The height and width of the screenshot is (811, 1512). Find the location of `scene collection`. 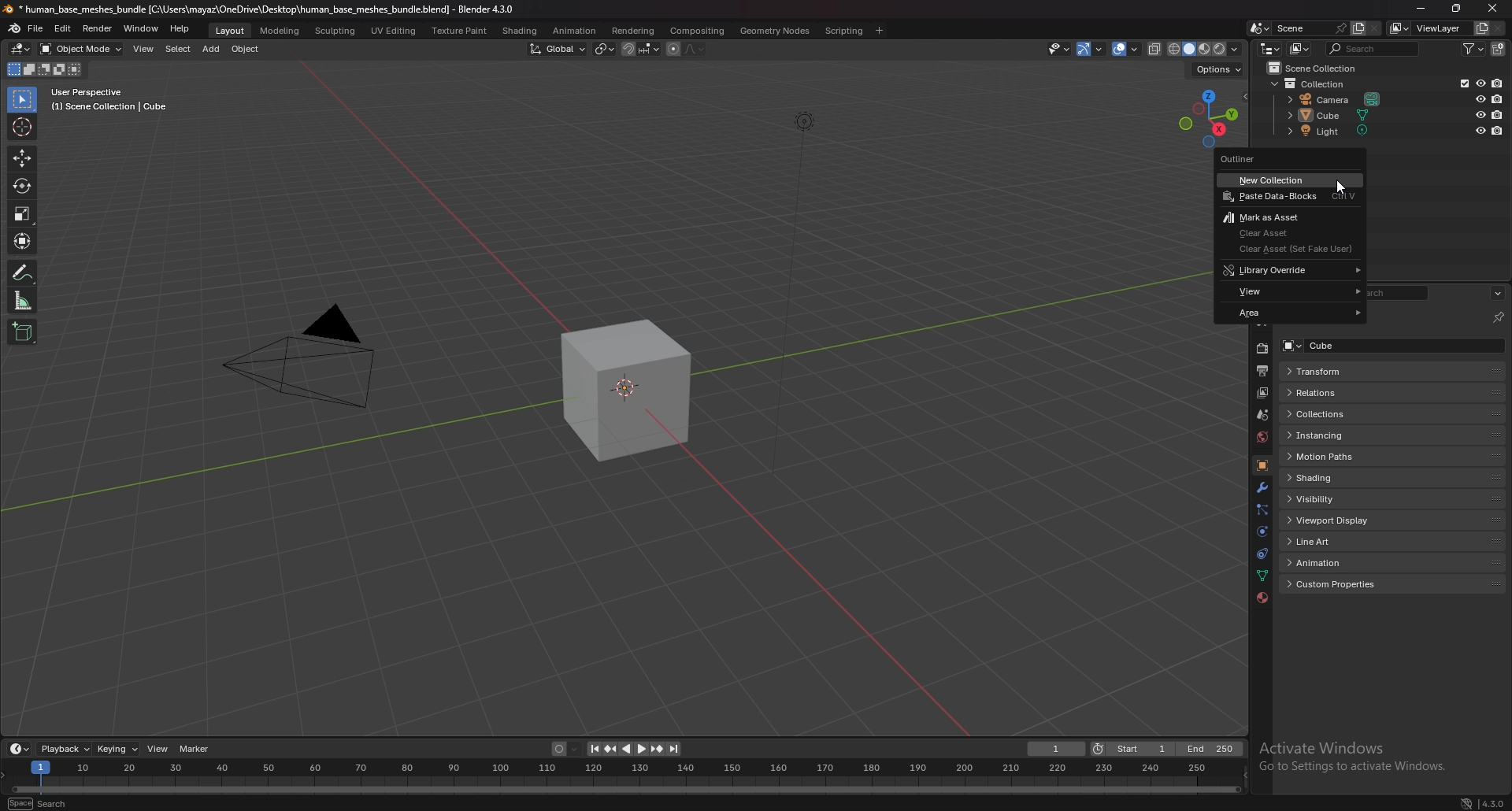

scene collection is located at coordinates (1318, 67).